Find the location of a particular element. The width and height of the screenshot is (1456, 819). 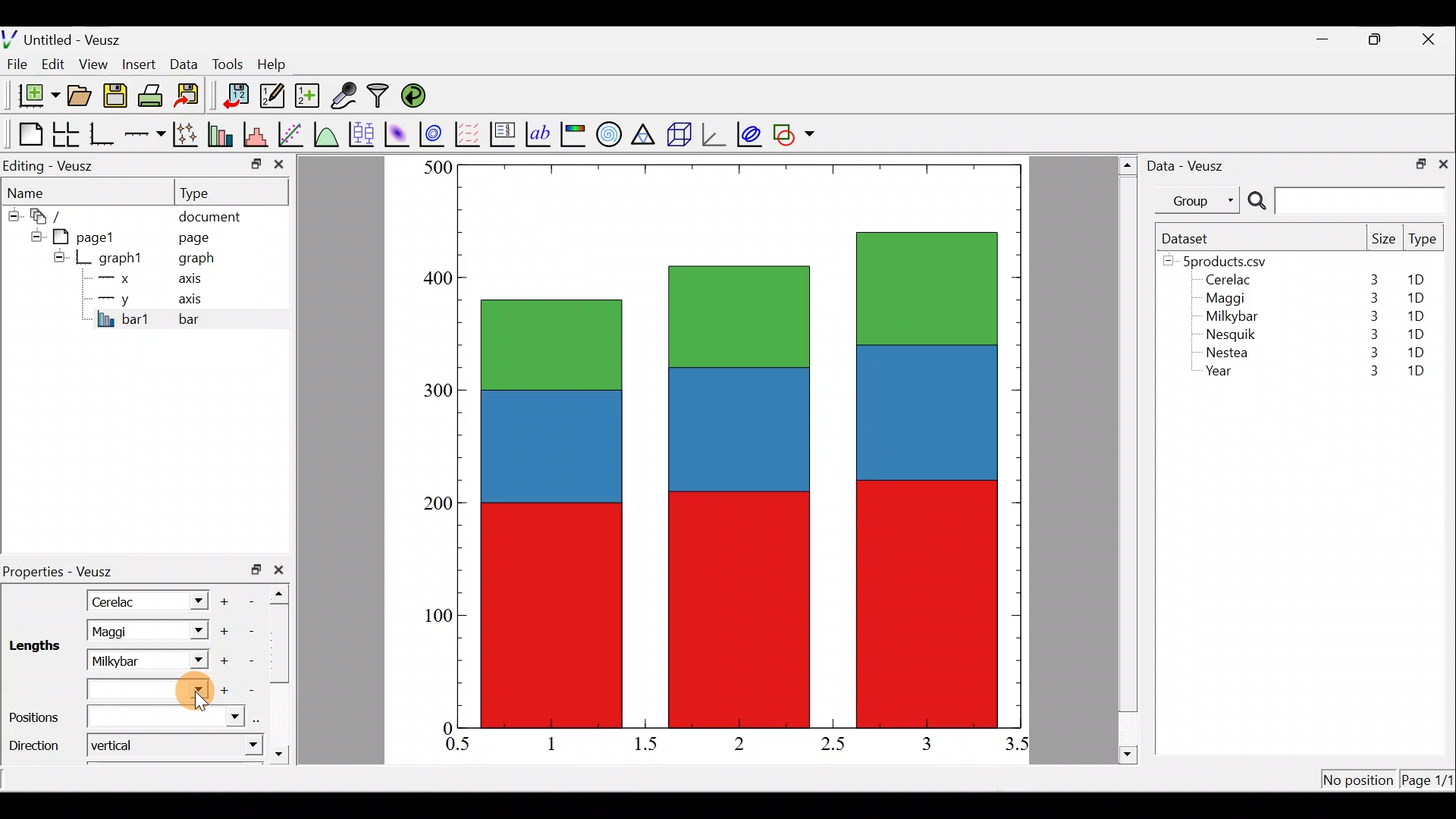

plot covariance ellipses is located at coordinates (751, 133).